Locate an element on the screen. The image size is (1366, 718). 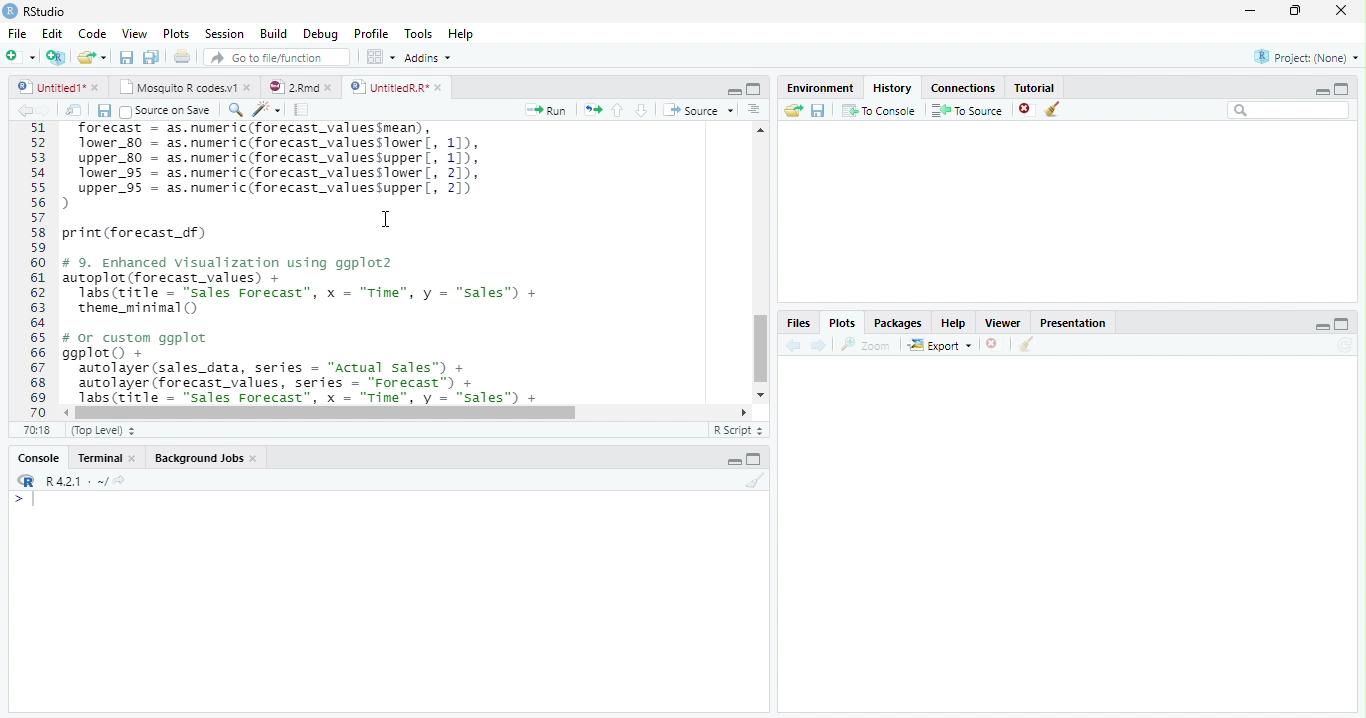
Environment is located at coordinates (822, 89).